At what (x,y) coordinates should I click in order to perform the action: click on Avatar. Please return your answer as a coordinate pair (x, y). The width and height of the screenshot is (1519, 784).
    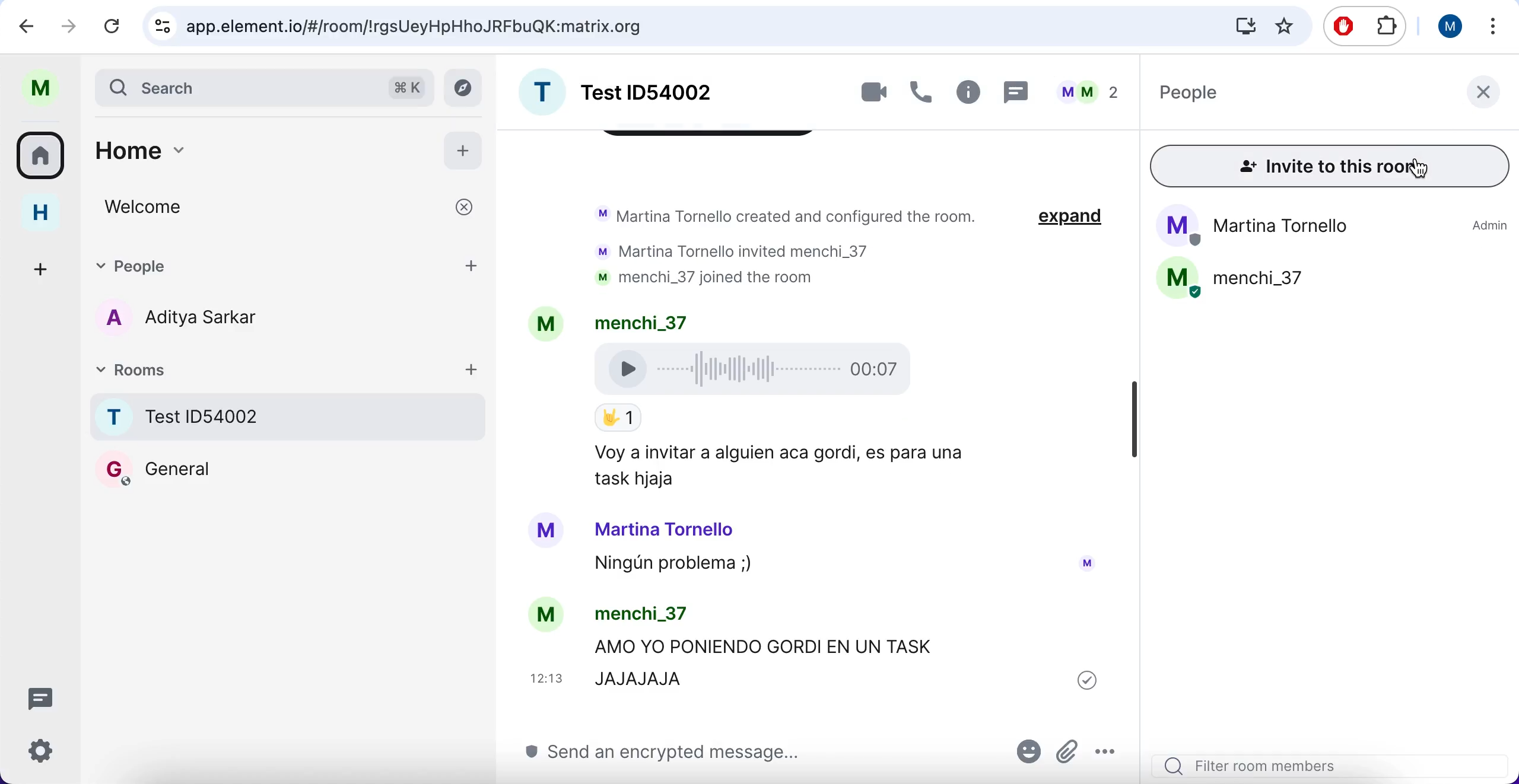
    Looking at the image, I should click on (552, 325).